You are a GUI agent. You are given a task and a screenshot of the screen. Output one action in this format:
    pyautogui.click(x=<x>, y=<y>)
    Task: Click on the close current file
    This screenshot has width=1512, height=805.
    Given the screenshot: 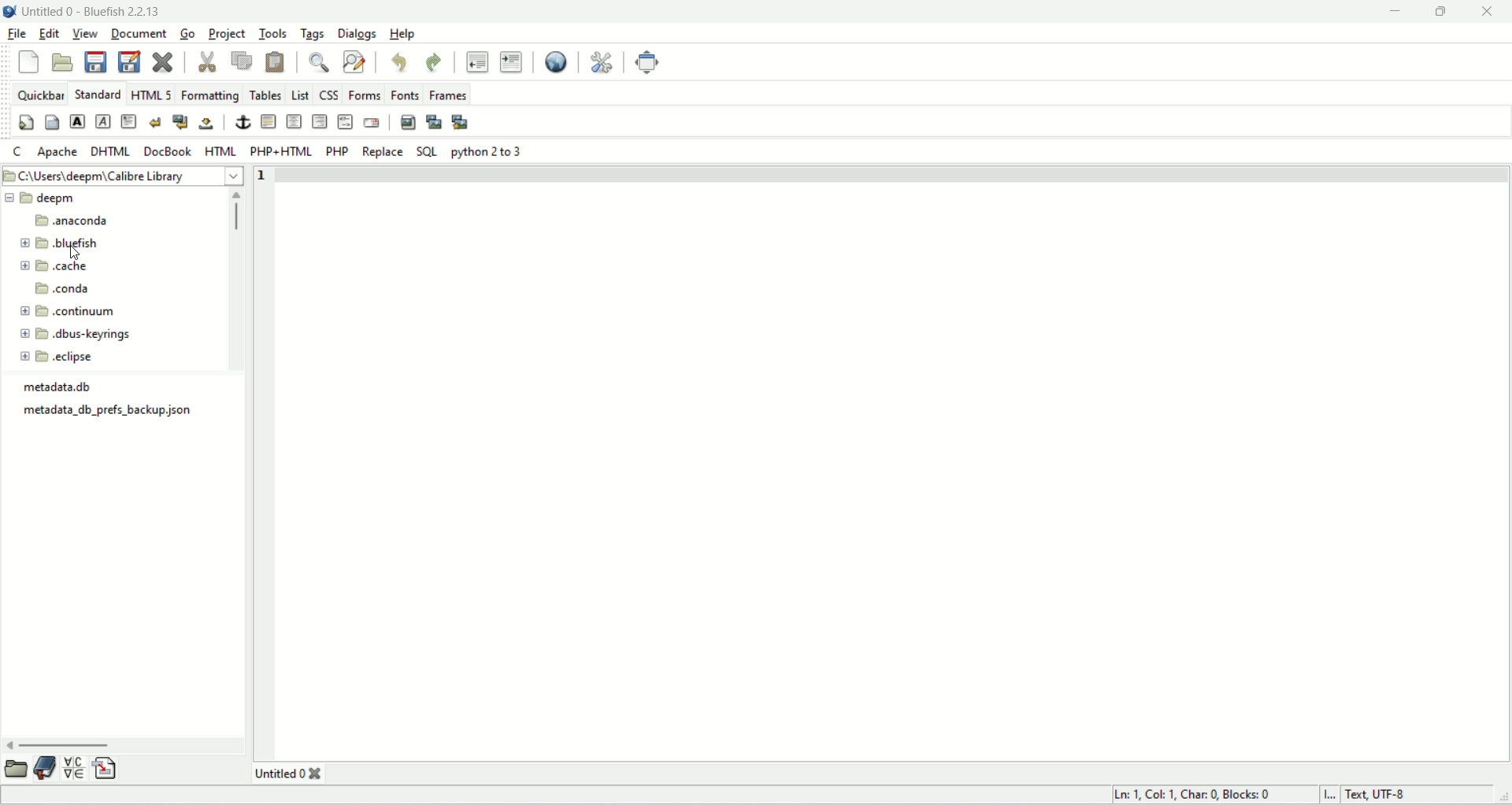 What is the action you would take?
    pyautogui.click(x=165, y=63)
    